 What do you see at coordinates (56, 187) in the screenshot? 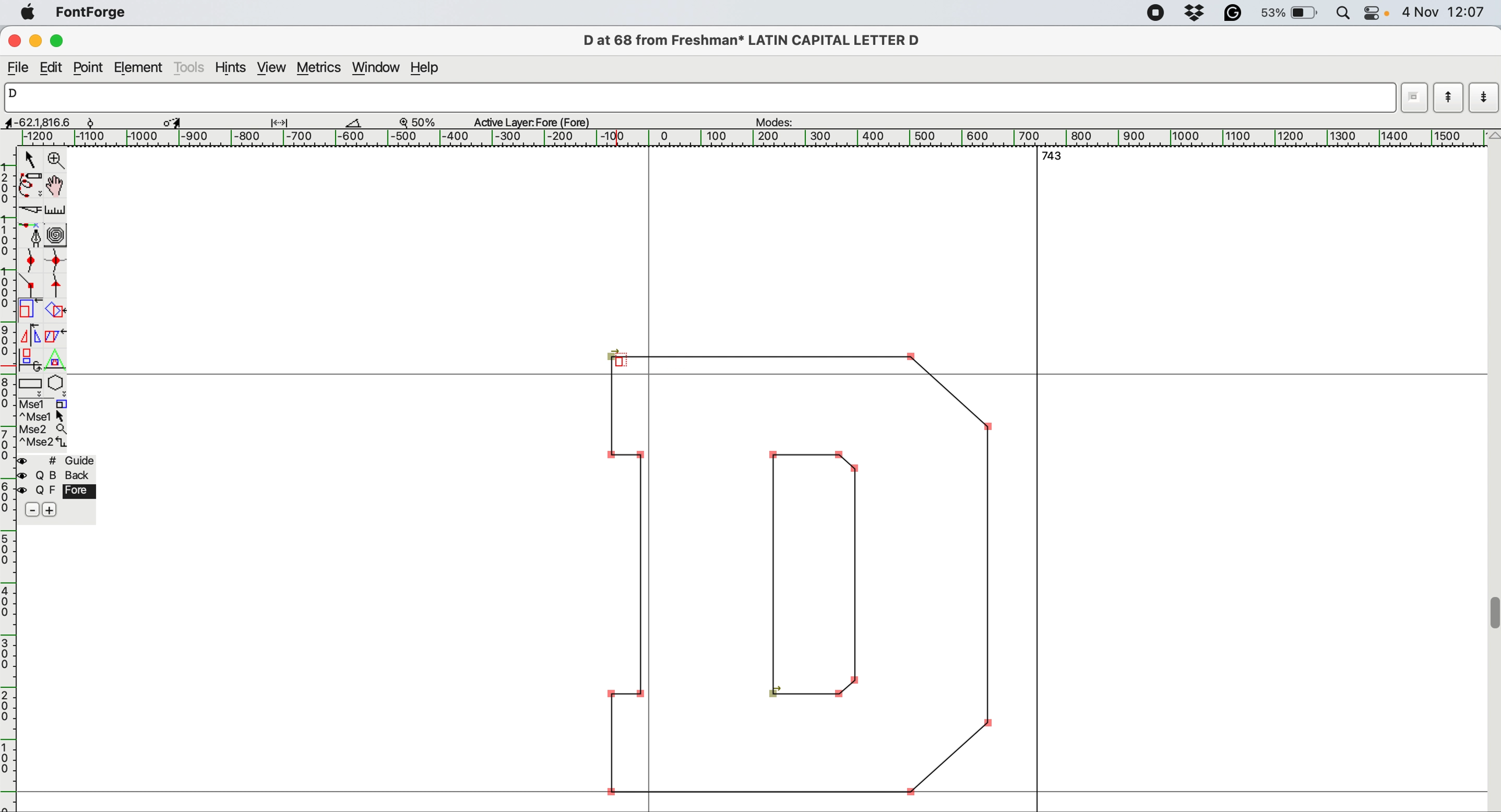
I see `draw by hand` at bounding box center [56, 187].